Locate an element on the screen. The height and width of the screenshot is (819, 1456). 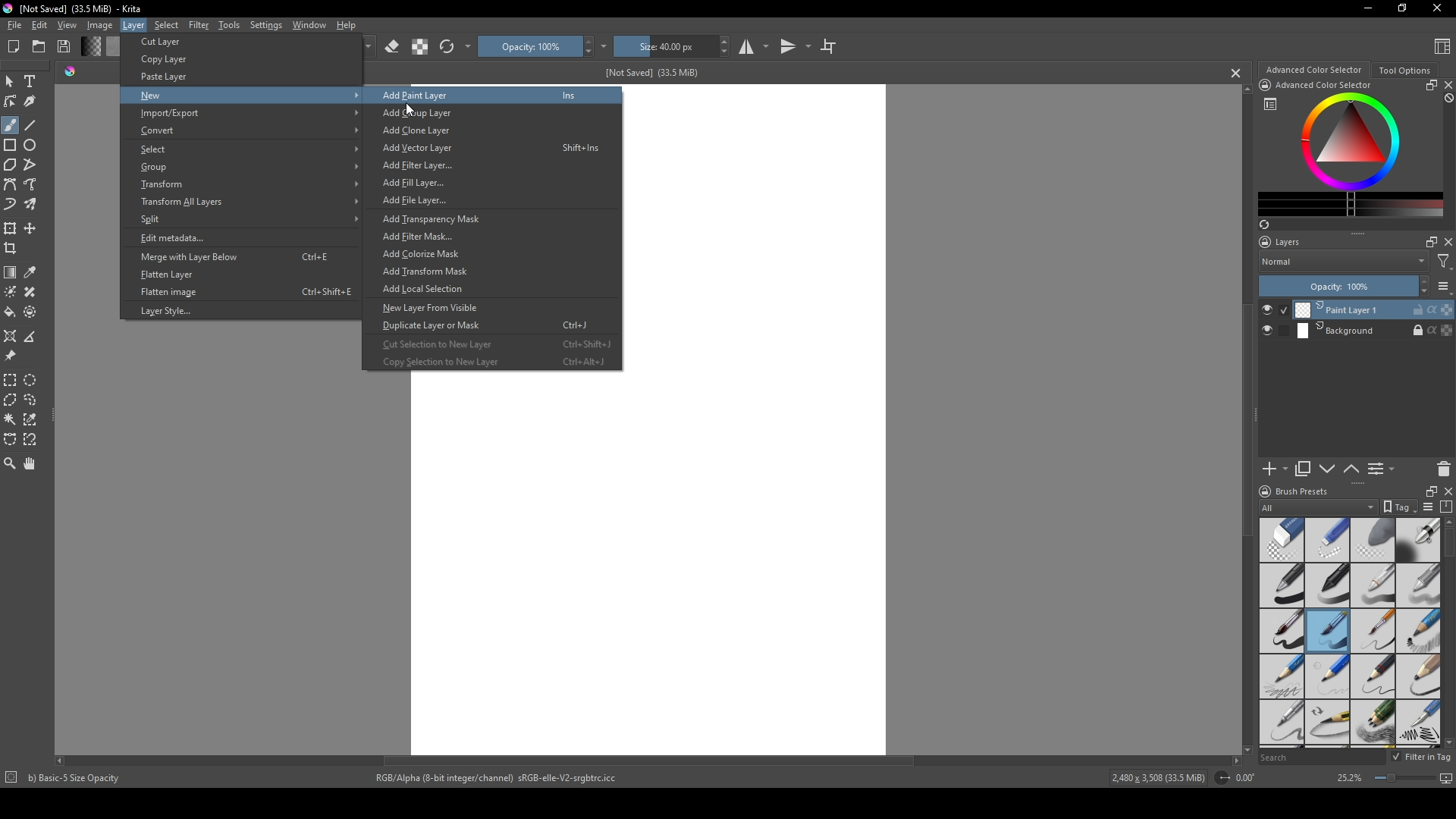
magic wand is located at coordinates (10, 419).